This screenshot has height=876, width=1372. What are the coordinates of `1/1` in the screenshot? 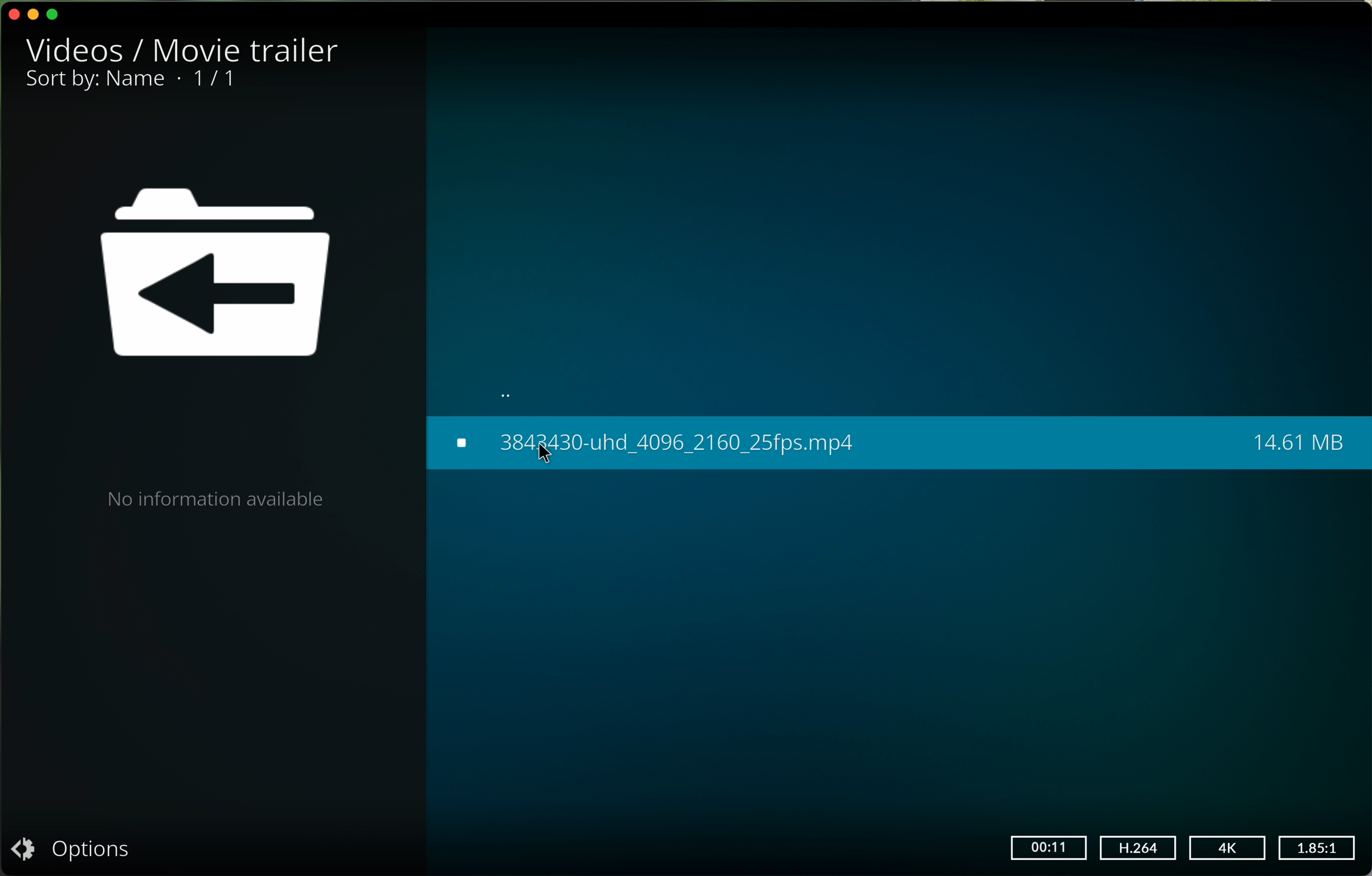 It's located at (214, 79).